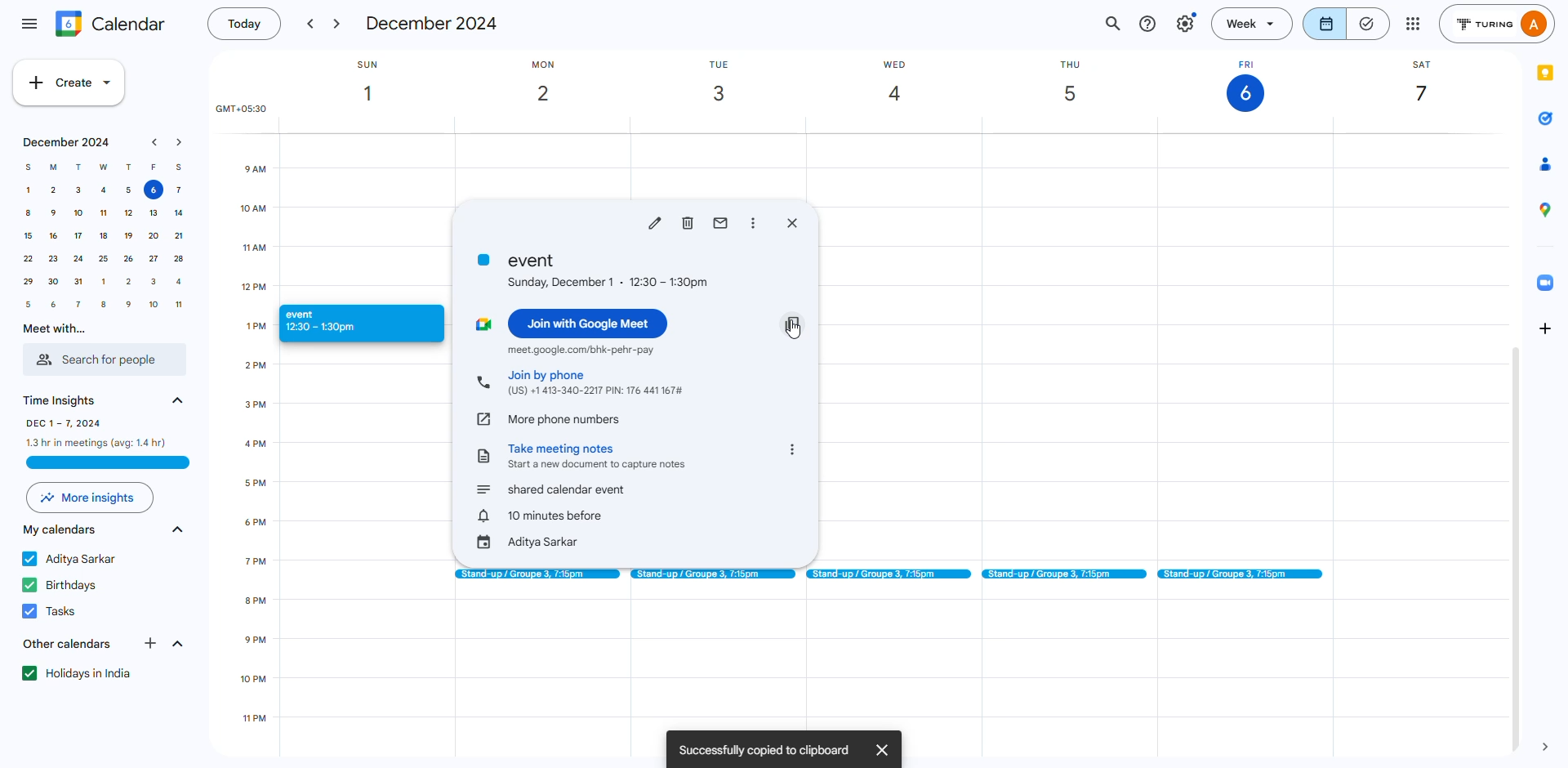 The width and height of the screenshot is (1568, 768). Describe the element at coordinates (688, 222) in the screenshot. I see `delete` at that location.